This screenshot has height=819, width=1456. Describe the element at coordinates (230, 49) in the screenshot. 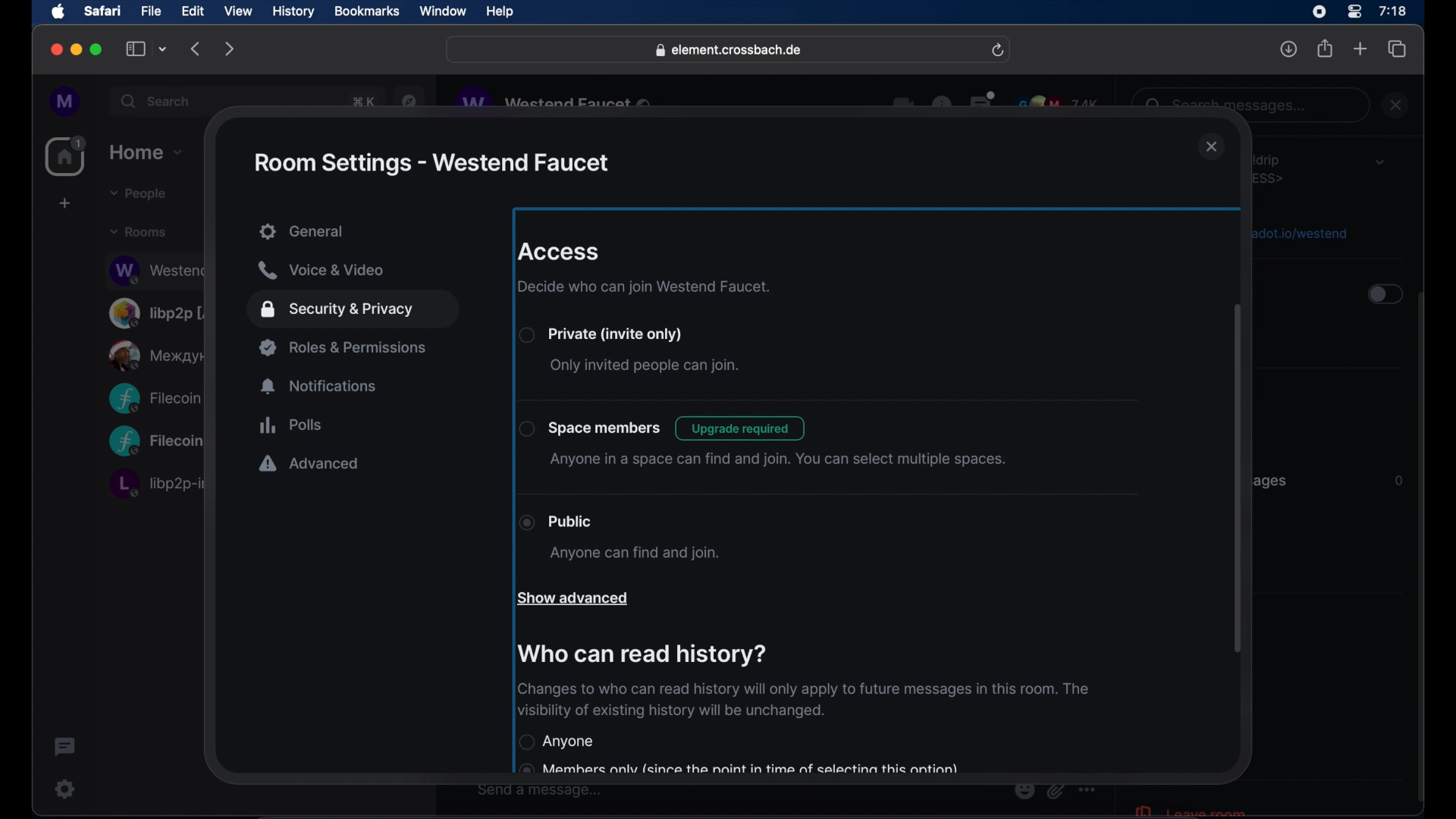

I see `forward` at that location.